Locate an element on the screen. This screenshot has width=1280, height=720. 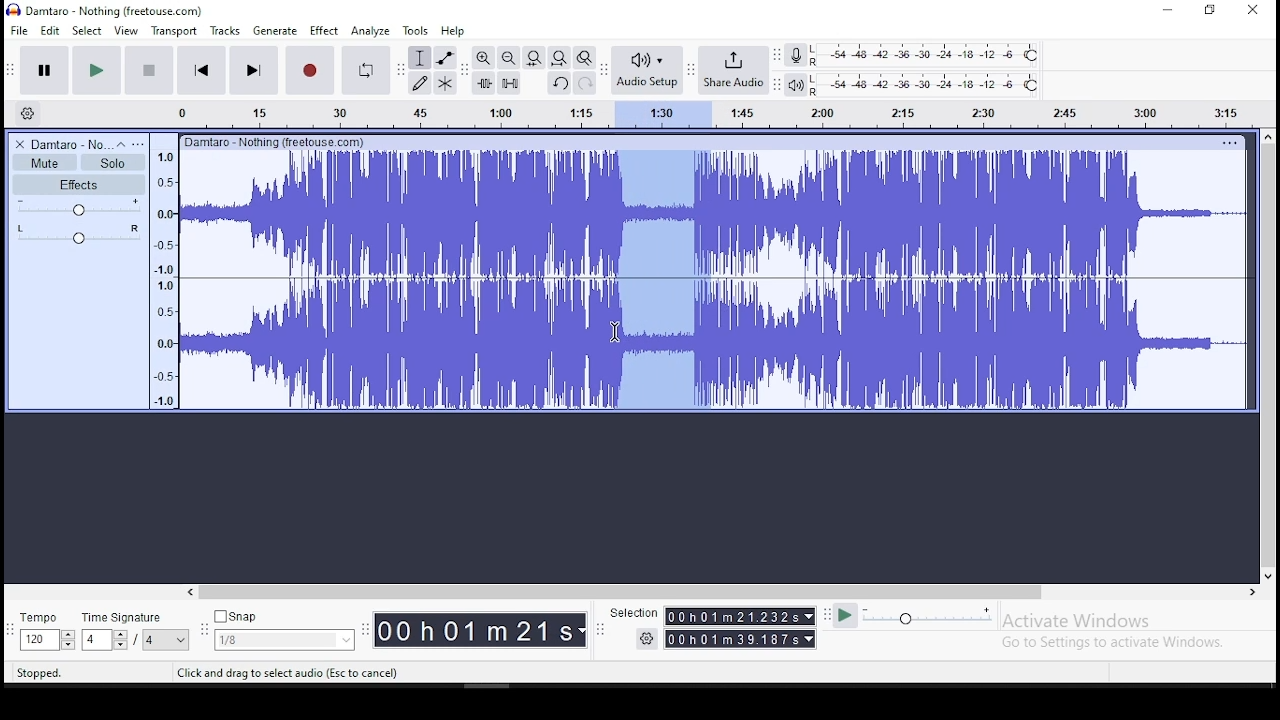
drop down is located at coordinates (119, 640).